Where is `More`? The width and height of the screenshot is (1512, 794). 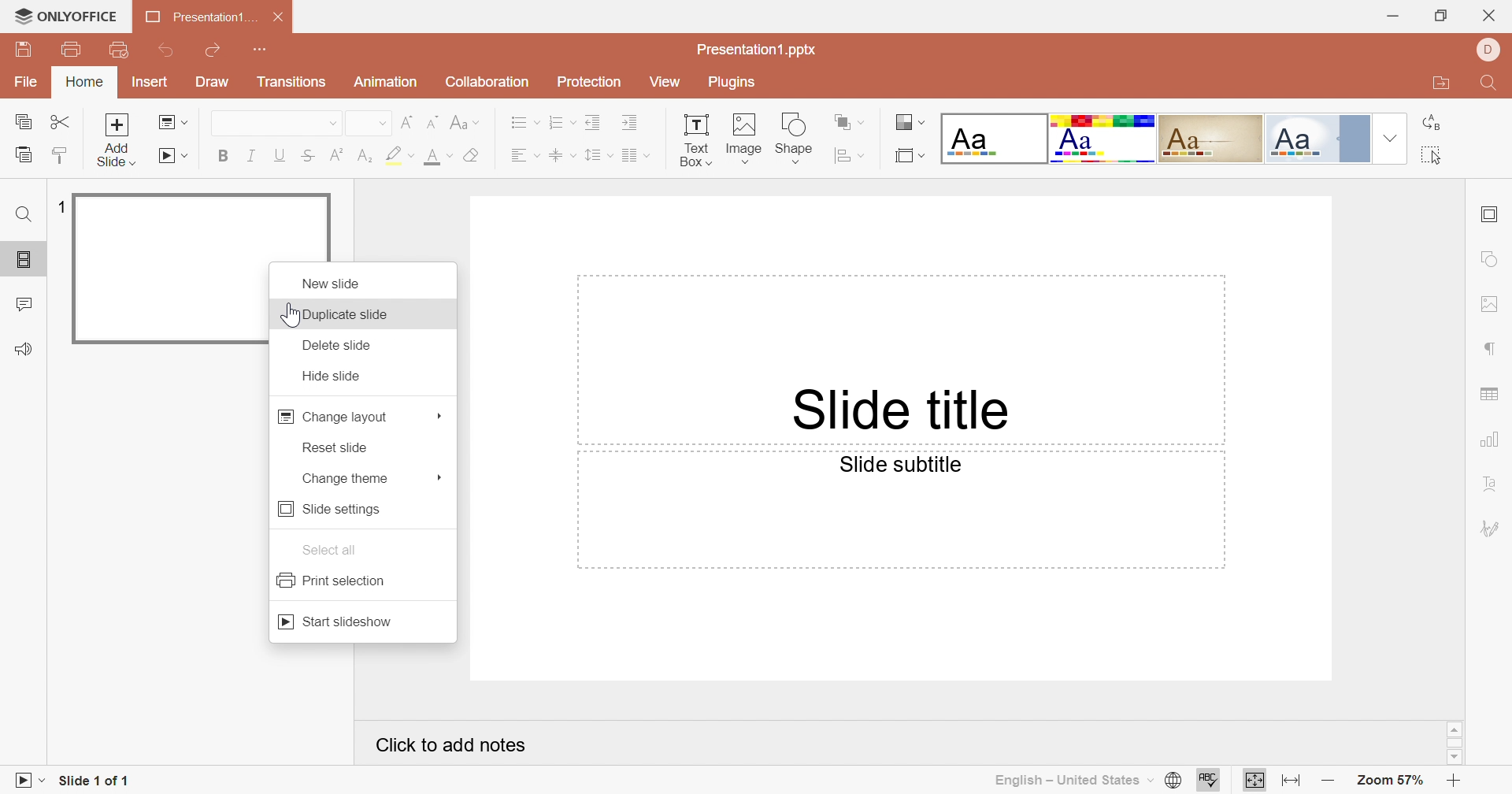
More is located at coordinates (439, 479).